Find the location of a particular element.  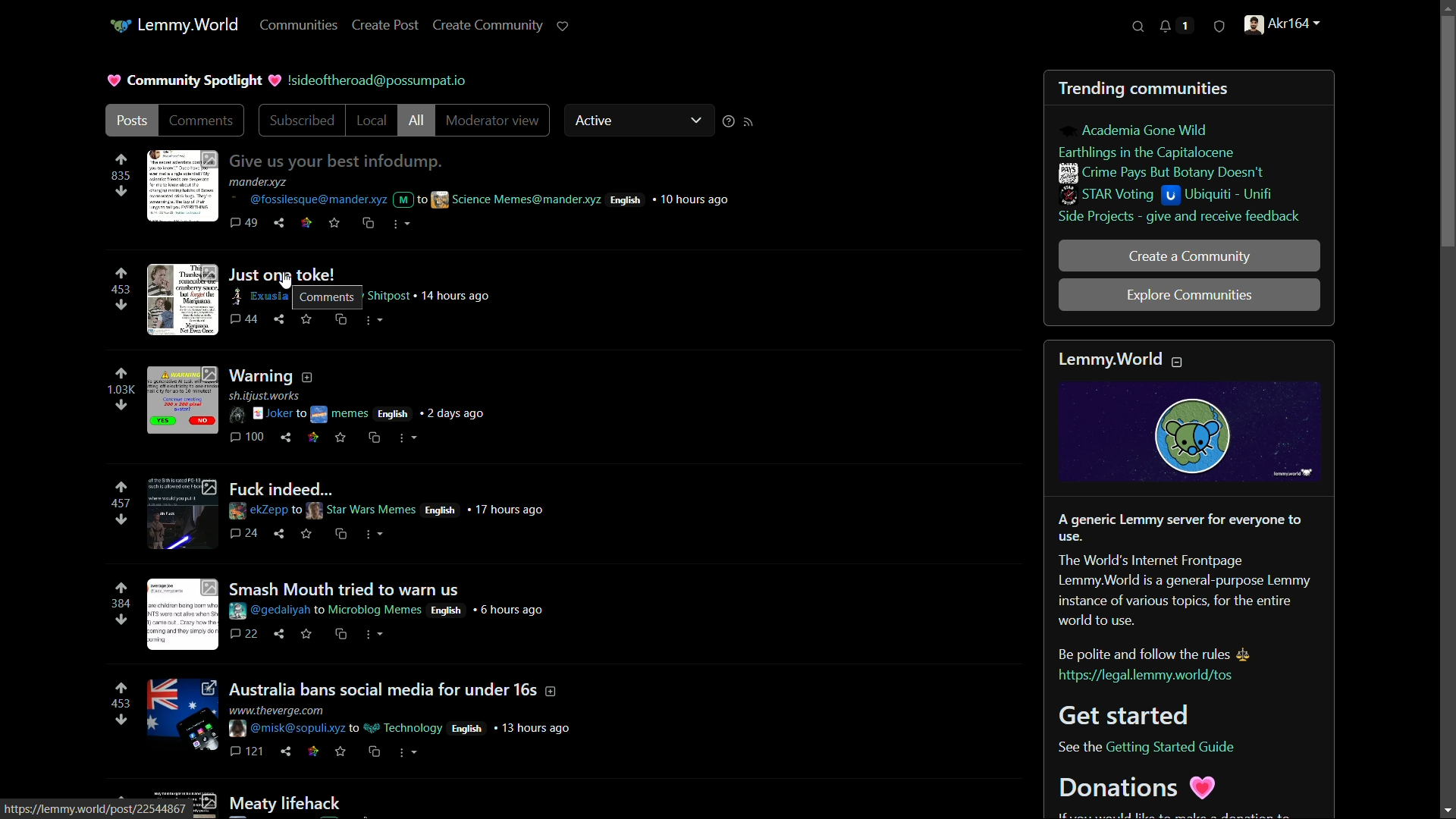

Scrollbar is located at coordinates (1446, 409).